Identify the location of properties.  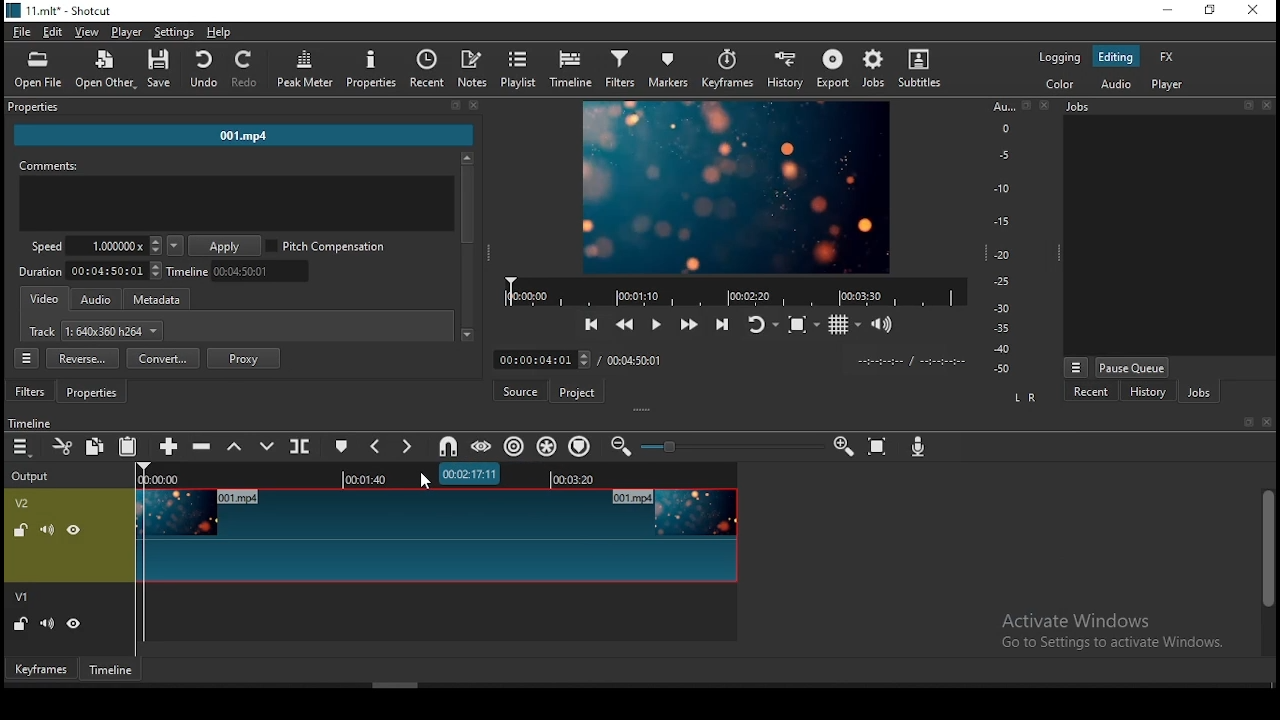
(95, 393).